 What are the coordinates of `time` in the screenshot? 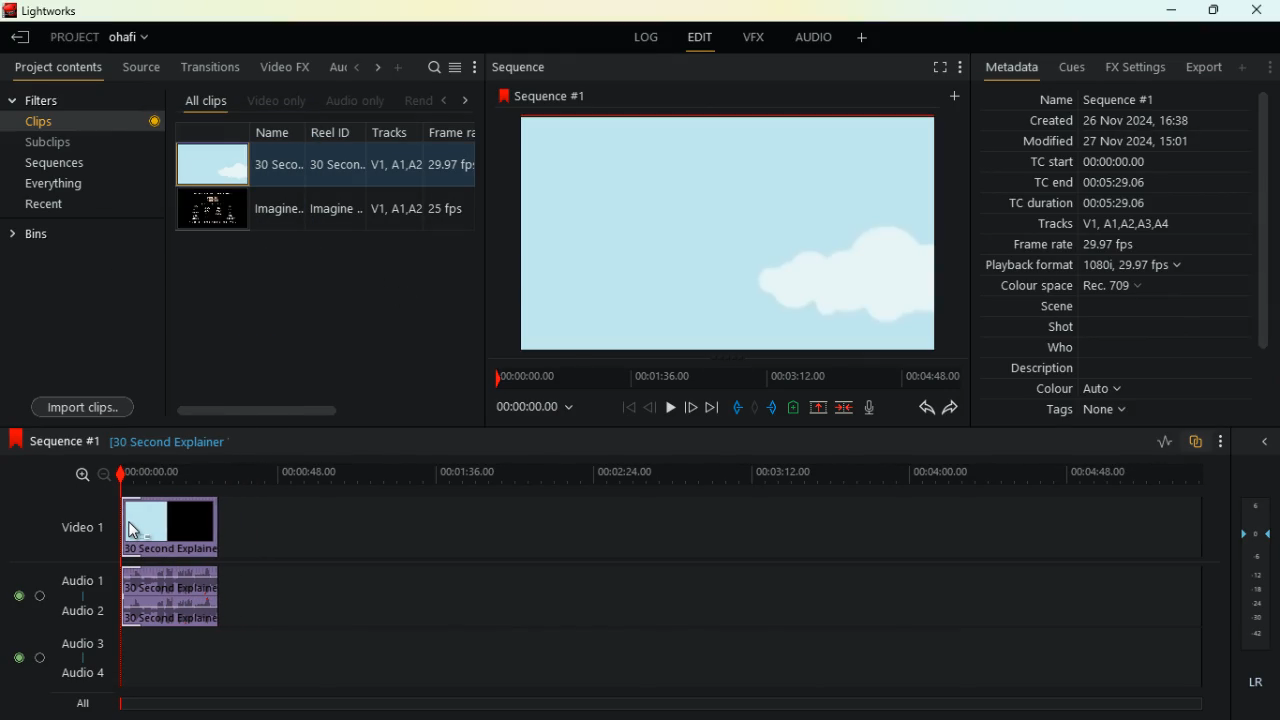 It's located at (531, 411).